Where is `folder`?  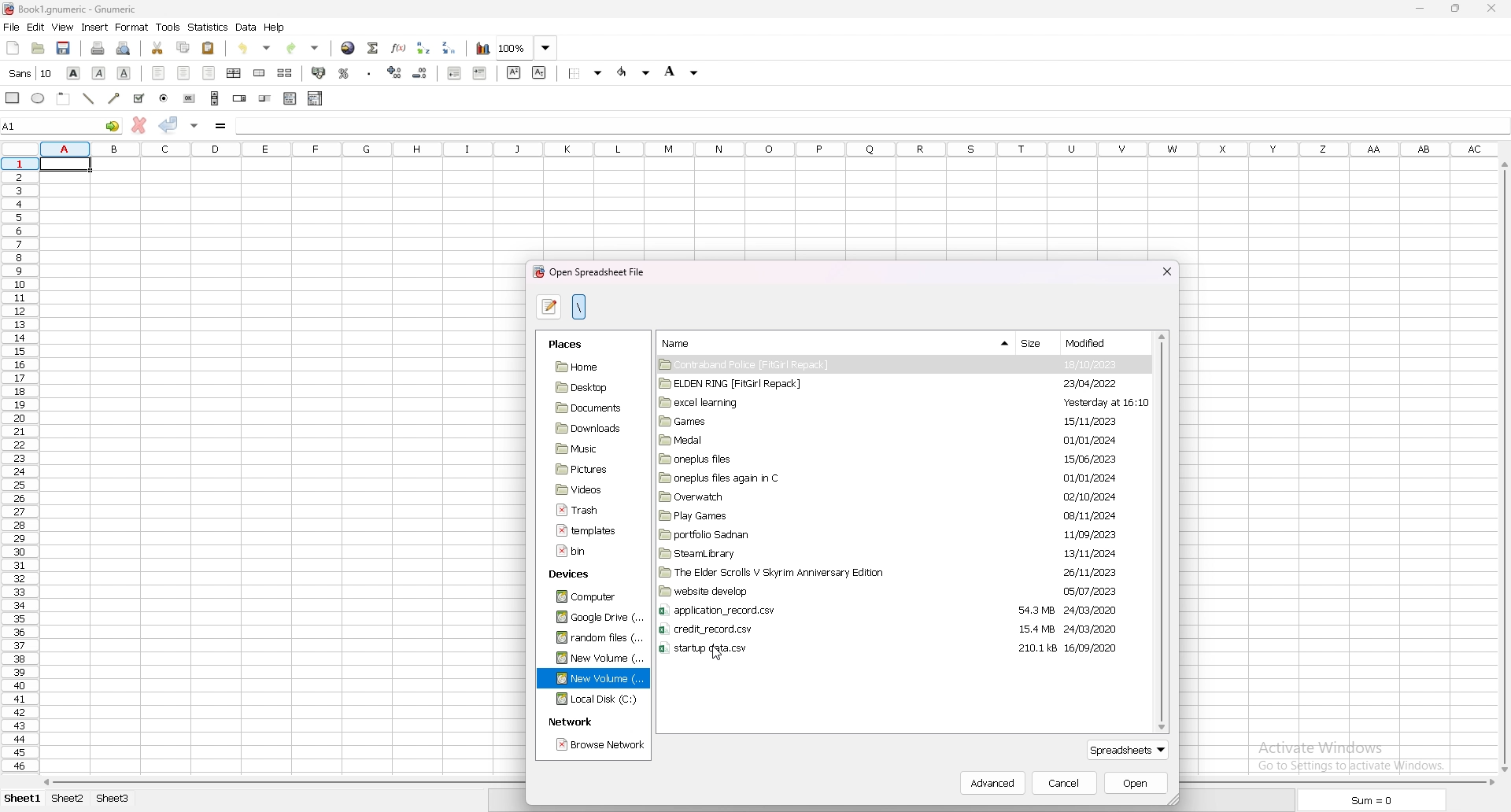 folder is located at coordinates (780, 498).